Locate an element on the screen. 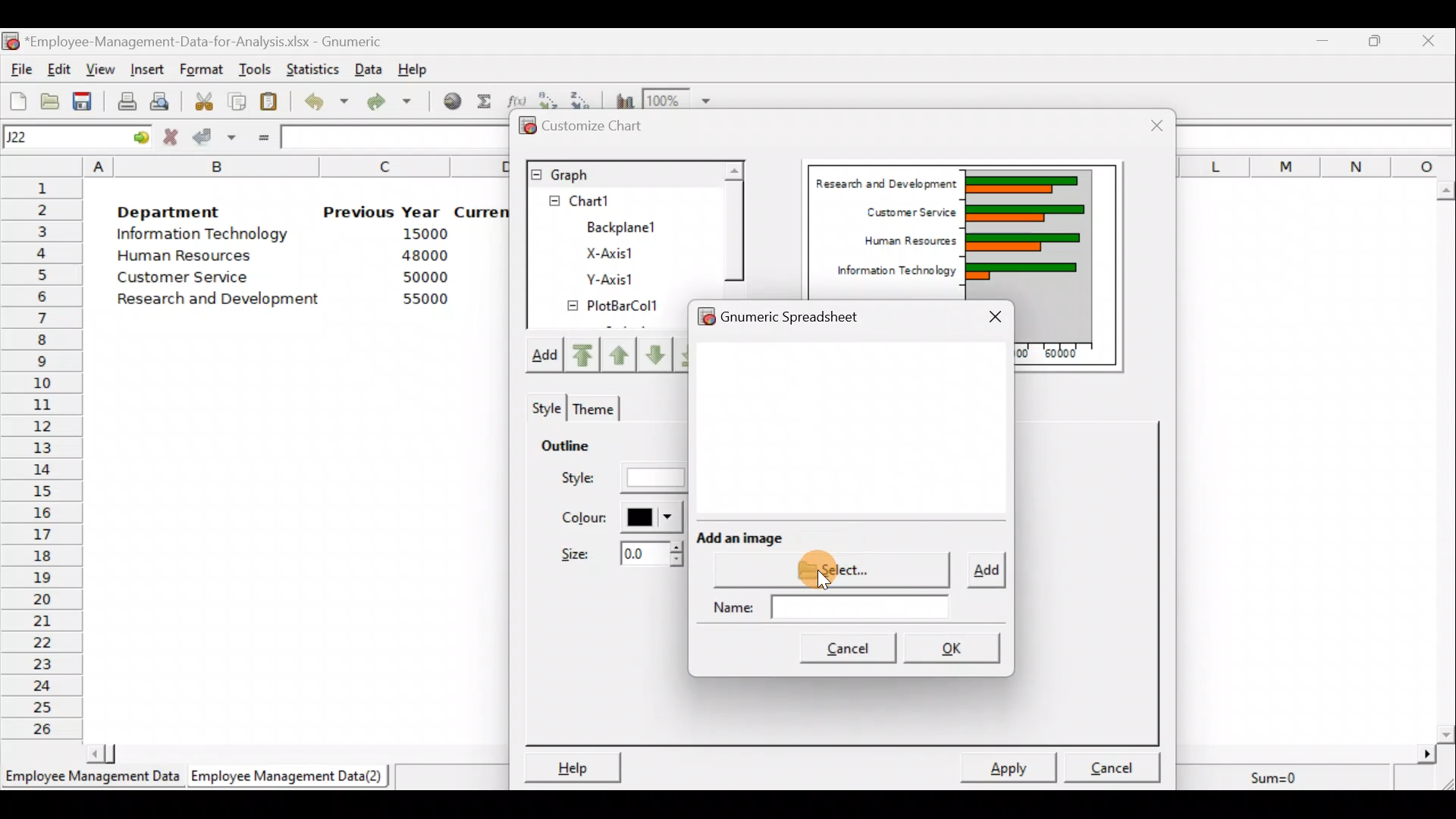 The width and height of the screenshot is (1456, 819). Move up is located at coordinates (620, 353).